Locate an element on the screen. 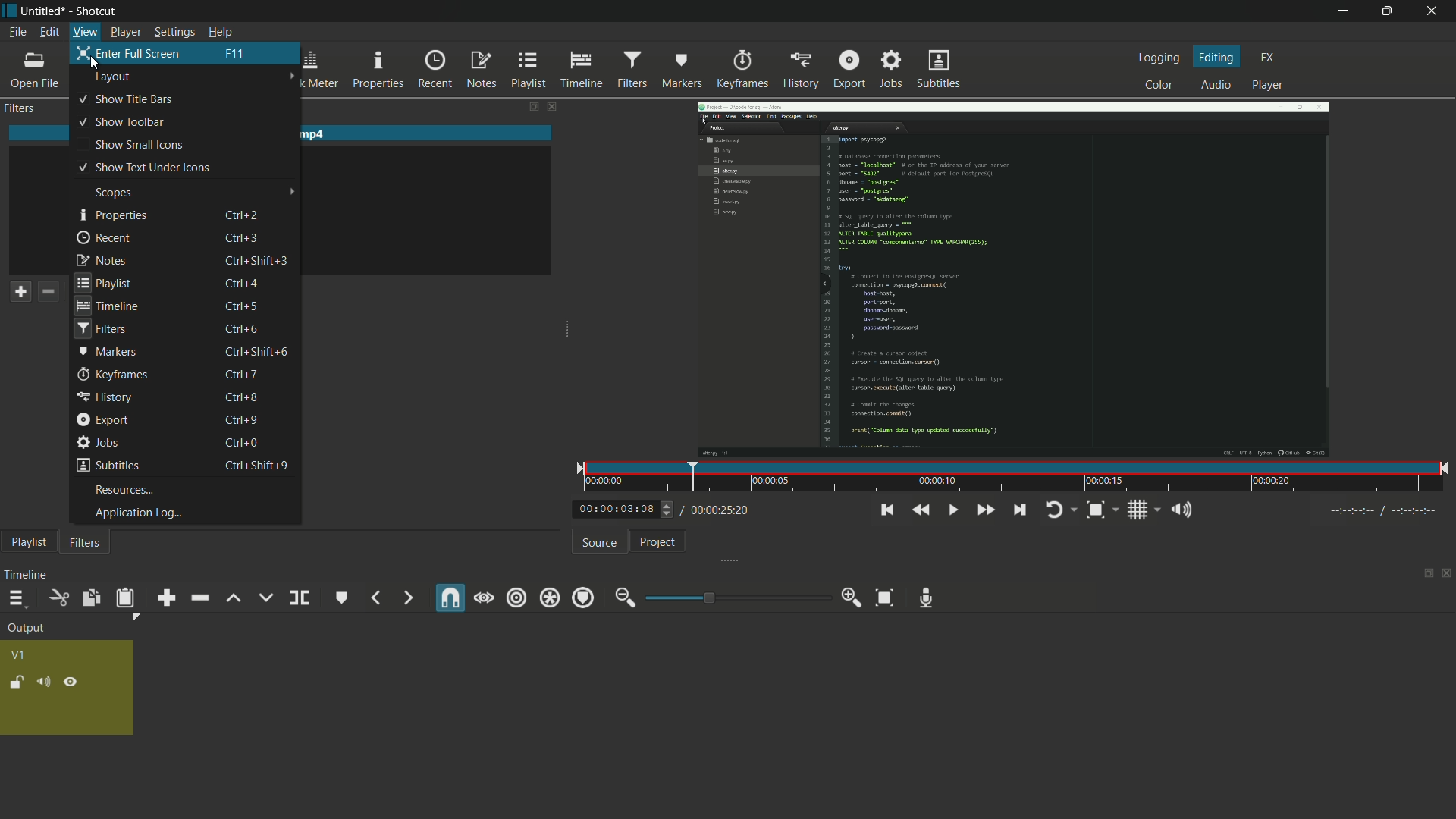 This screenshot has width=1456, height=819. Ctrl +Shift+6 is located at coordinates (259, 351).